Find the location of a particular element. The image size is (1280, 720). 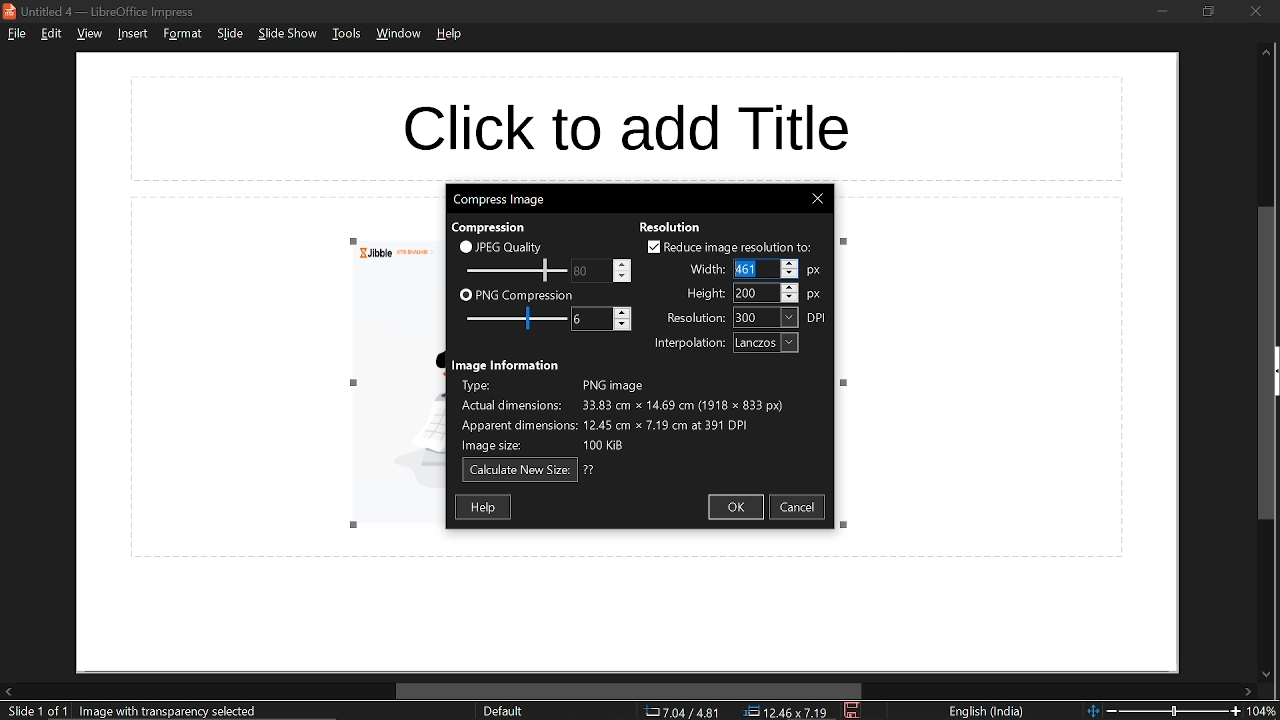

vertical scrollbar is located at coordinates (1267, 363).